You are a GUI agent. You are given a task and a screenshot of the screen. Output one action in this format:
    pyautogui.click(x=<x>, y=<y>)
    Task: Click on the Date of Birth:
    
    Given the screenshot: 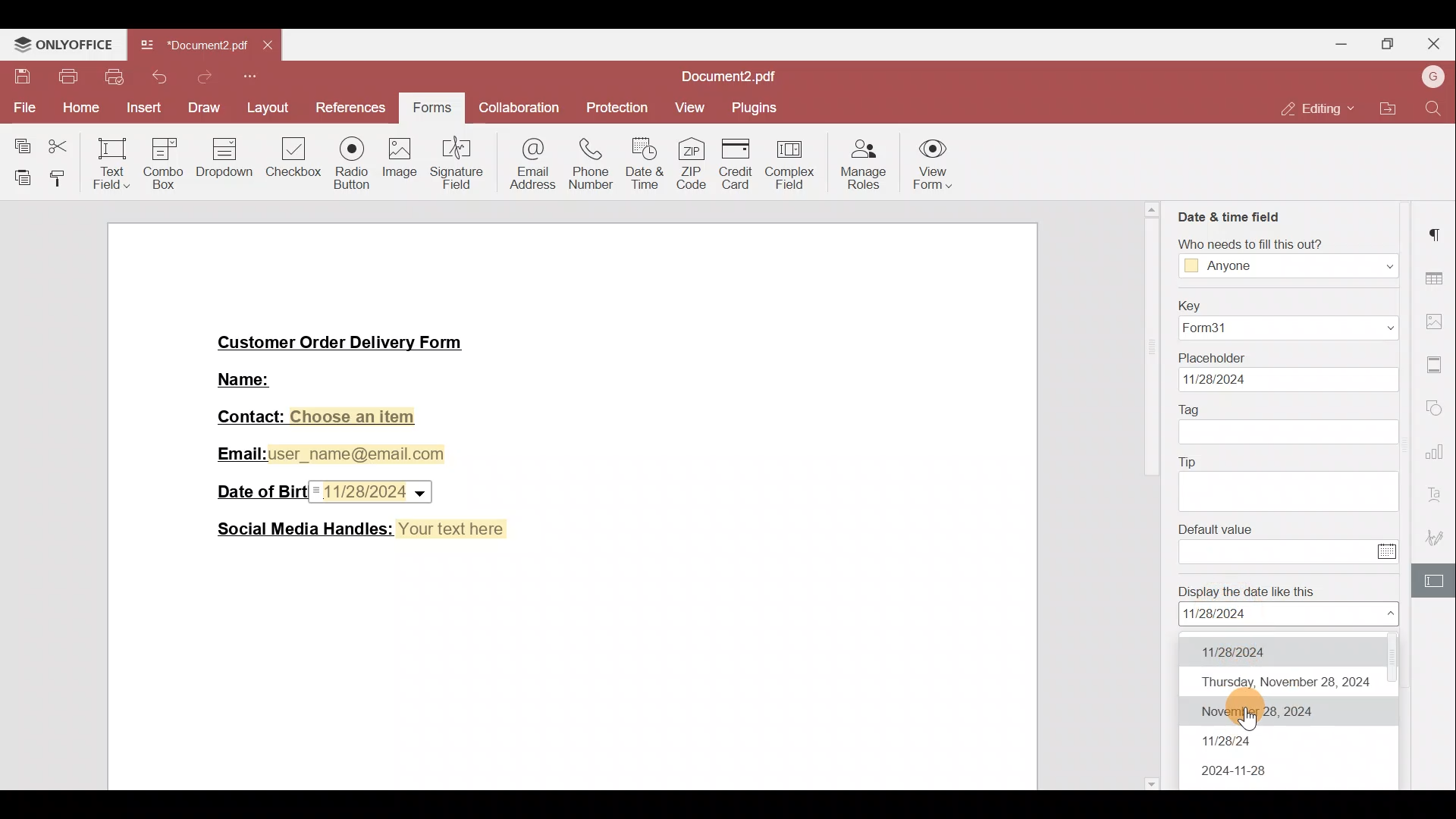 What is the action you would take?
    pyautogui.click(x=258, y=490)
    